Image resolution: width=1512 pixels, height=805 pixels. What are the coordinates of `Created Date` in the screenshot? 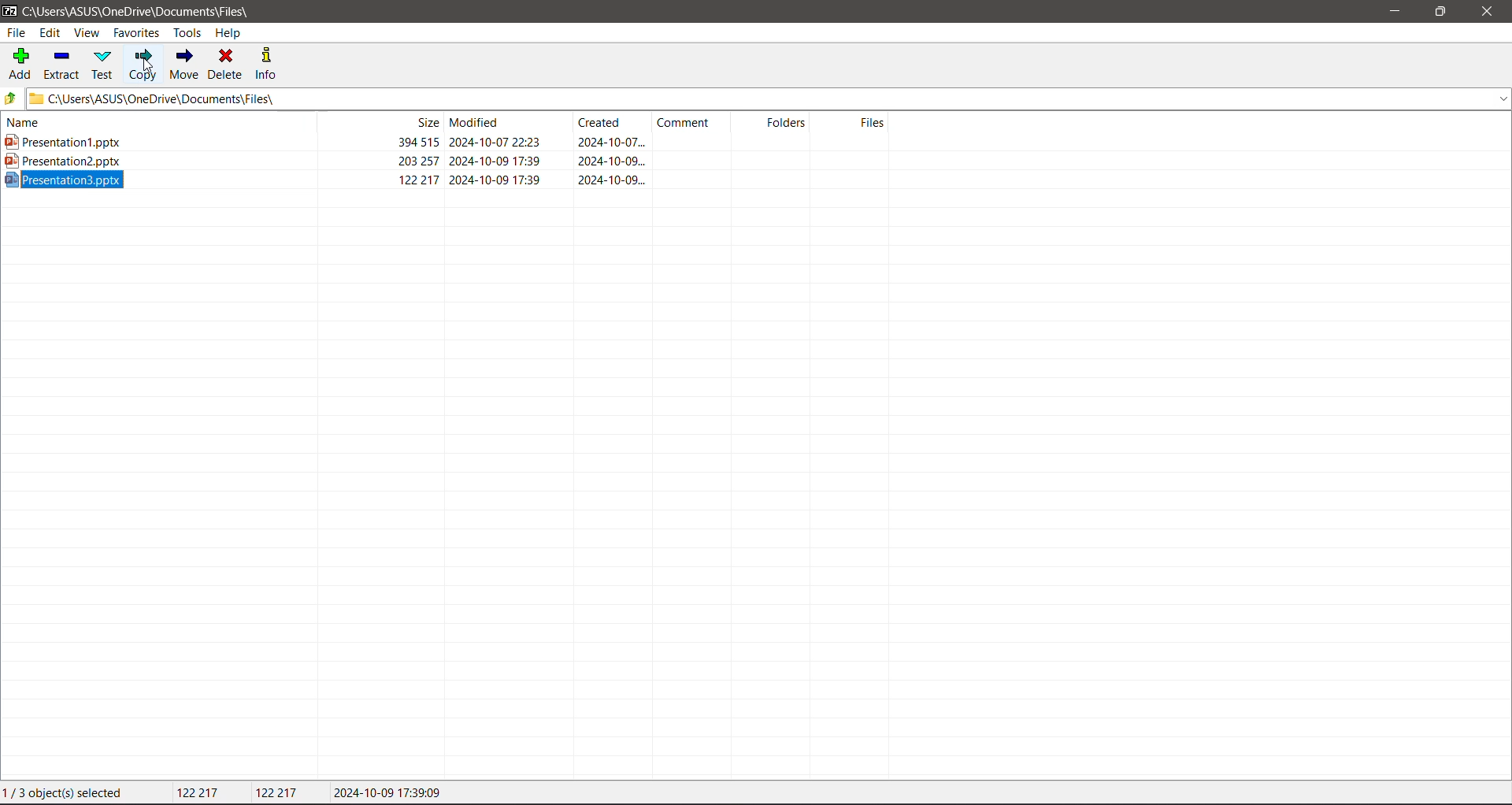 It's located at (613, 124).